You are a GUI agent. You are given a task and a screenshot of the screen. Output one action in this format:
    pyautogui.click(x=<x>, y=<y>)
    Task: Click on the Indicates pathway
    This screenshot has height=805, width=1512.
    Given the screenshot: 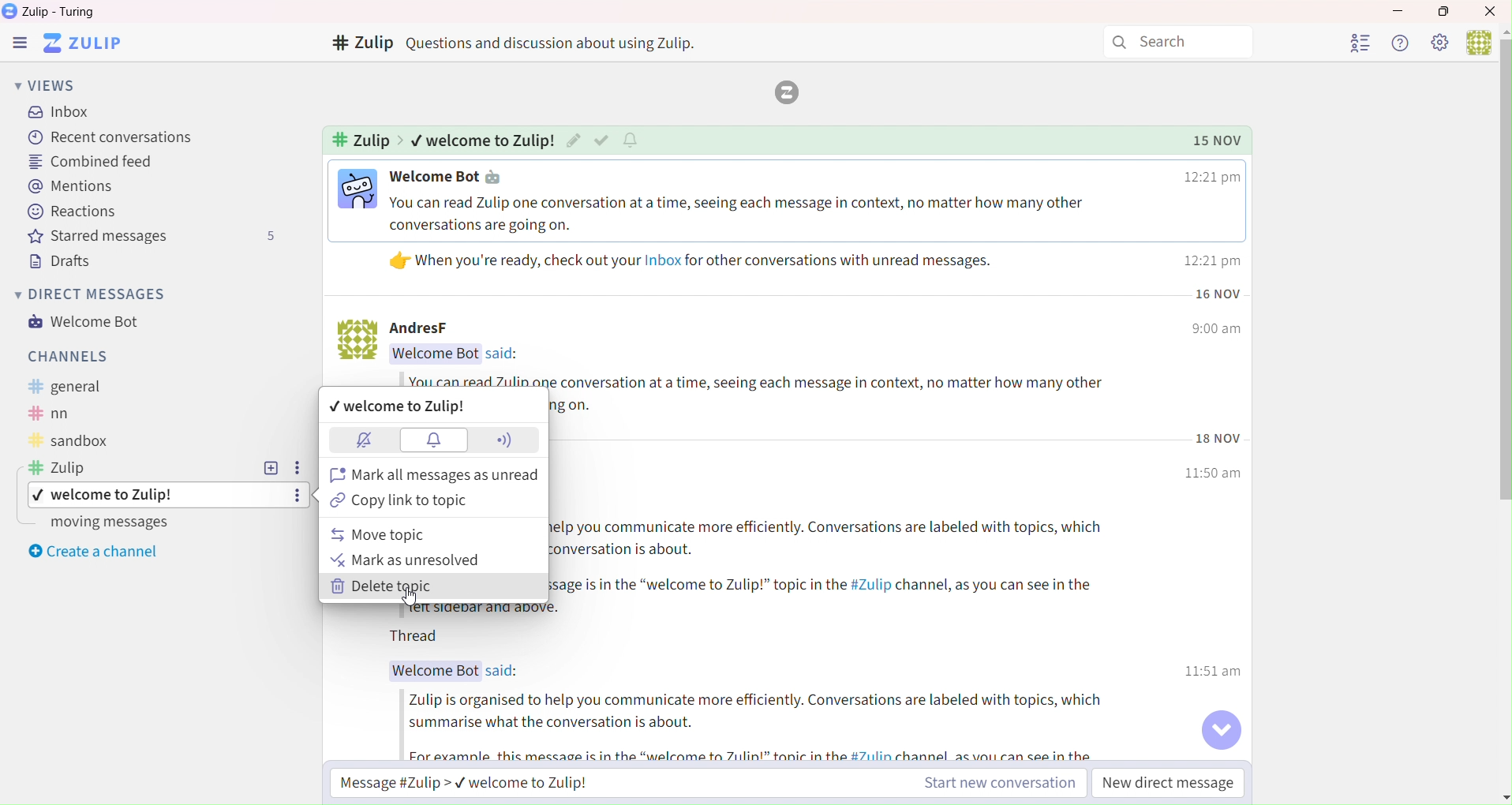 What is the action you would take?
    pyautogui.click(x=402, y=140)
    